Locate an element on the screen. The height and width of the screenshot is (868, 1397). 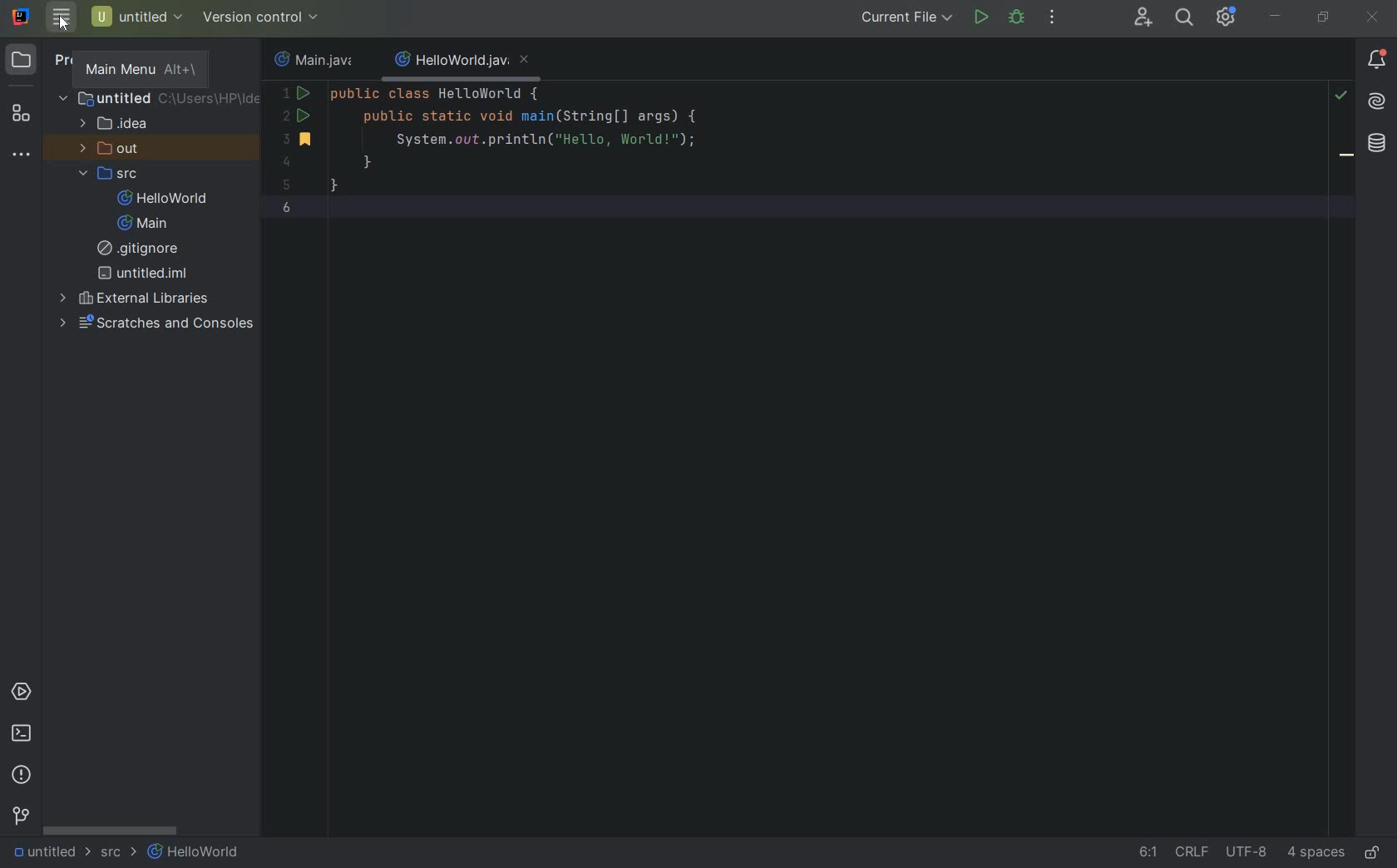
PROJECT is located at coordinates (22, 61).